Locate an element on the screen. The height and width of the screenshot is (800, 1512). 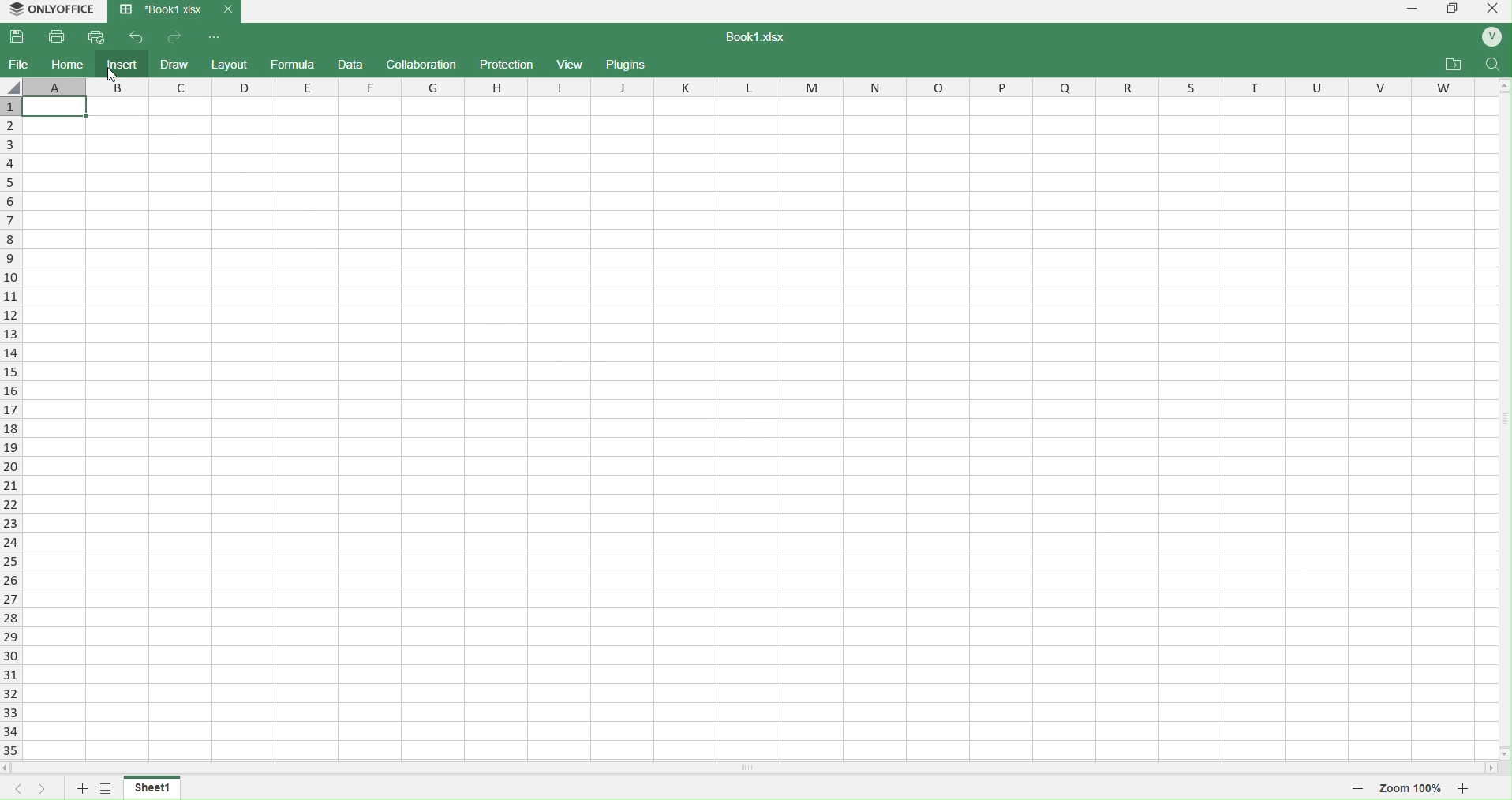
minimize is located at coordinates (1410, 11).